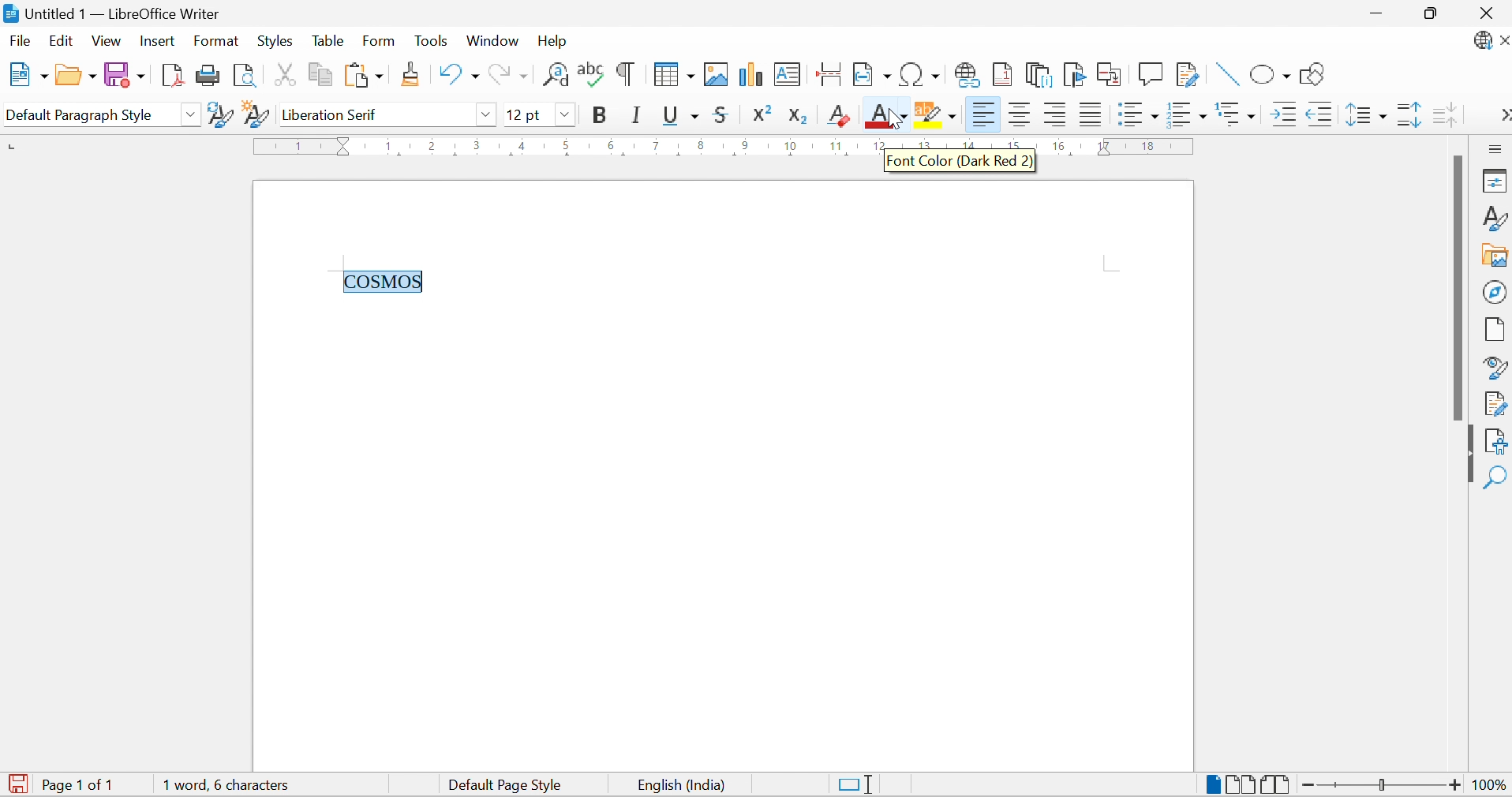 The image size is (1512, 797). I want to click on Strikethrough, so click(724, 115).